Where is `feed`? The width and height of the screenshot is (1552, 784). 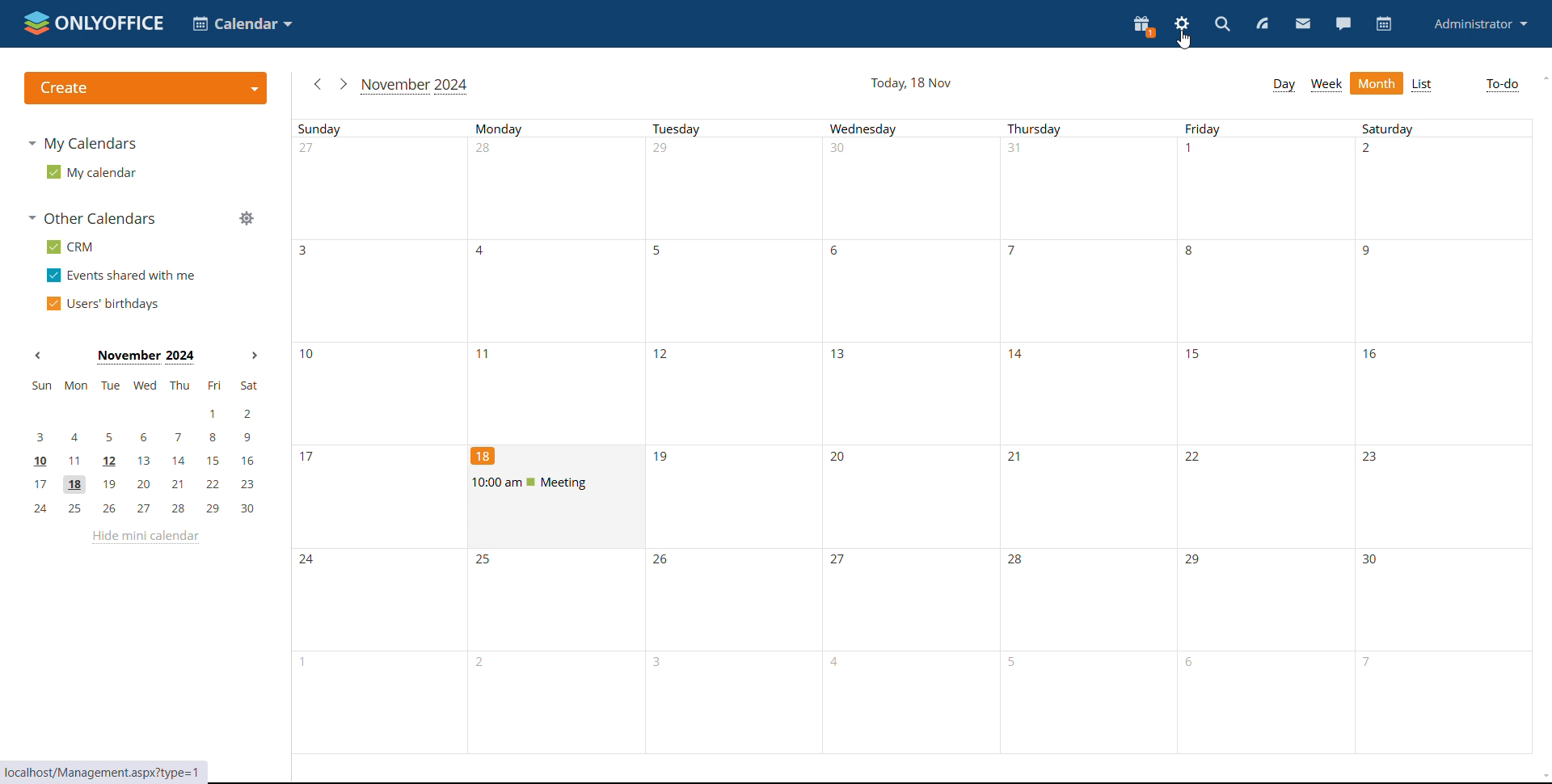
feed is located at coordinates (1261, 24).